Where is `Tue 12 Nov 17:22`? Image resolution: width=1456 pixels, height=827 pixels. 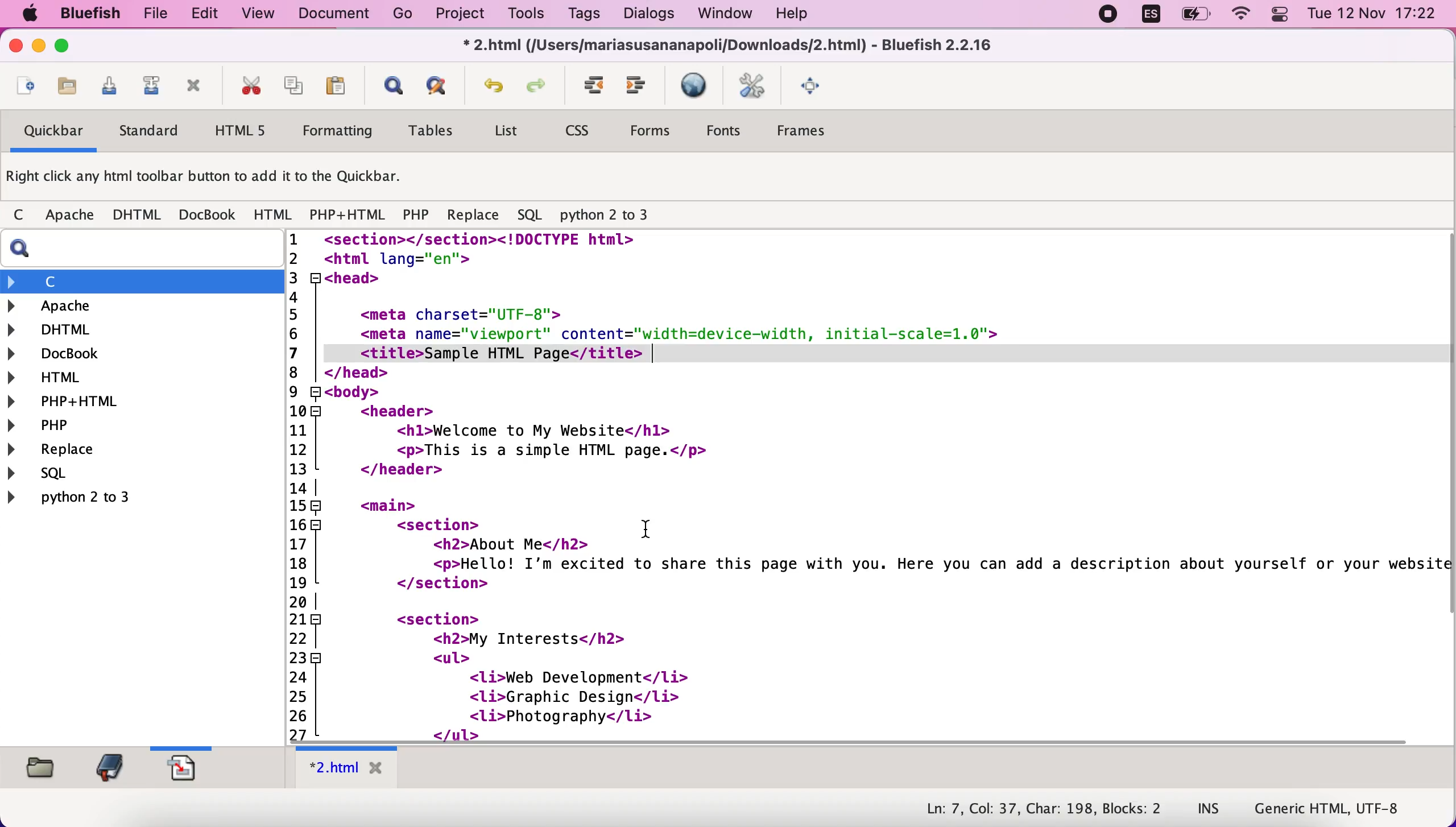
Tue 12 Nov 17:22 is located at coordinates (1372, 14).